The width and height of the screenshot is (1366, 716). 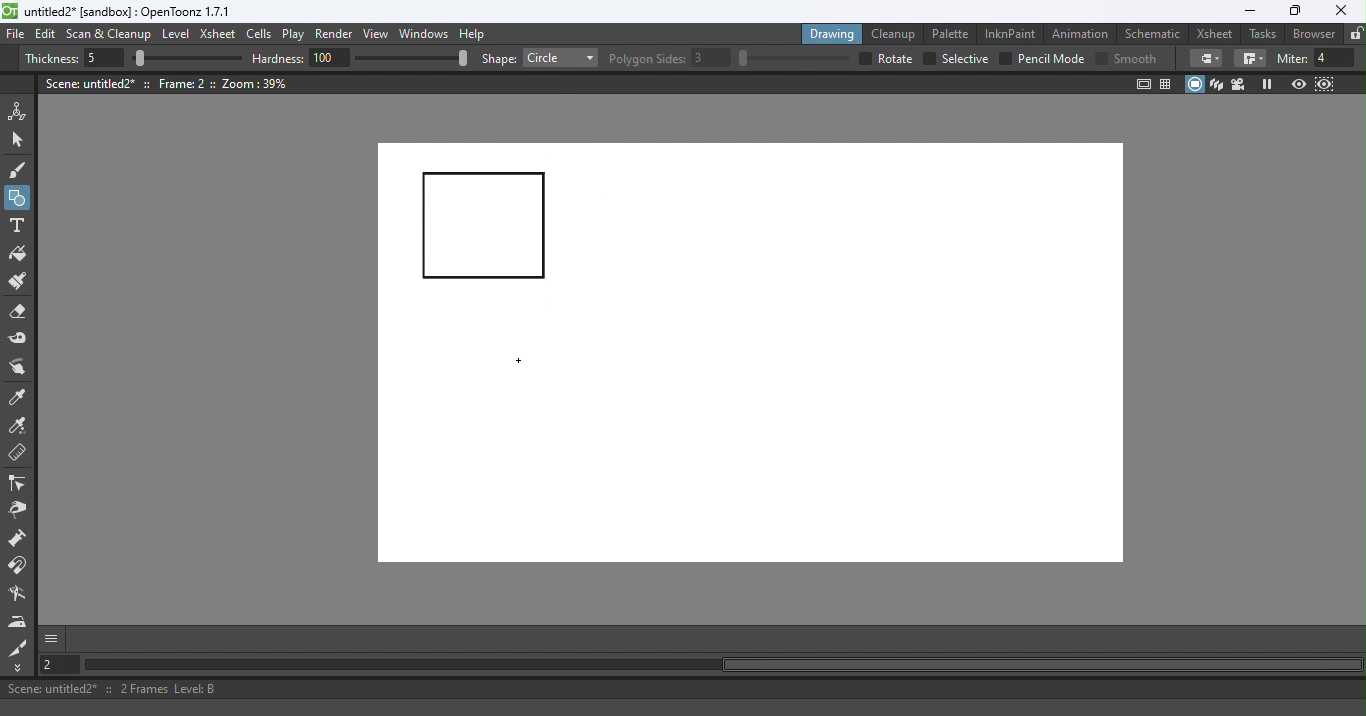 What do you see at coordinates (337, 35) in the screenshot?
I see `Render` at bounding box center [337, 35].